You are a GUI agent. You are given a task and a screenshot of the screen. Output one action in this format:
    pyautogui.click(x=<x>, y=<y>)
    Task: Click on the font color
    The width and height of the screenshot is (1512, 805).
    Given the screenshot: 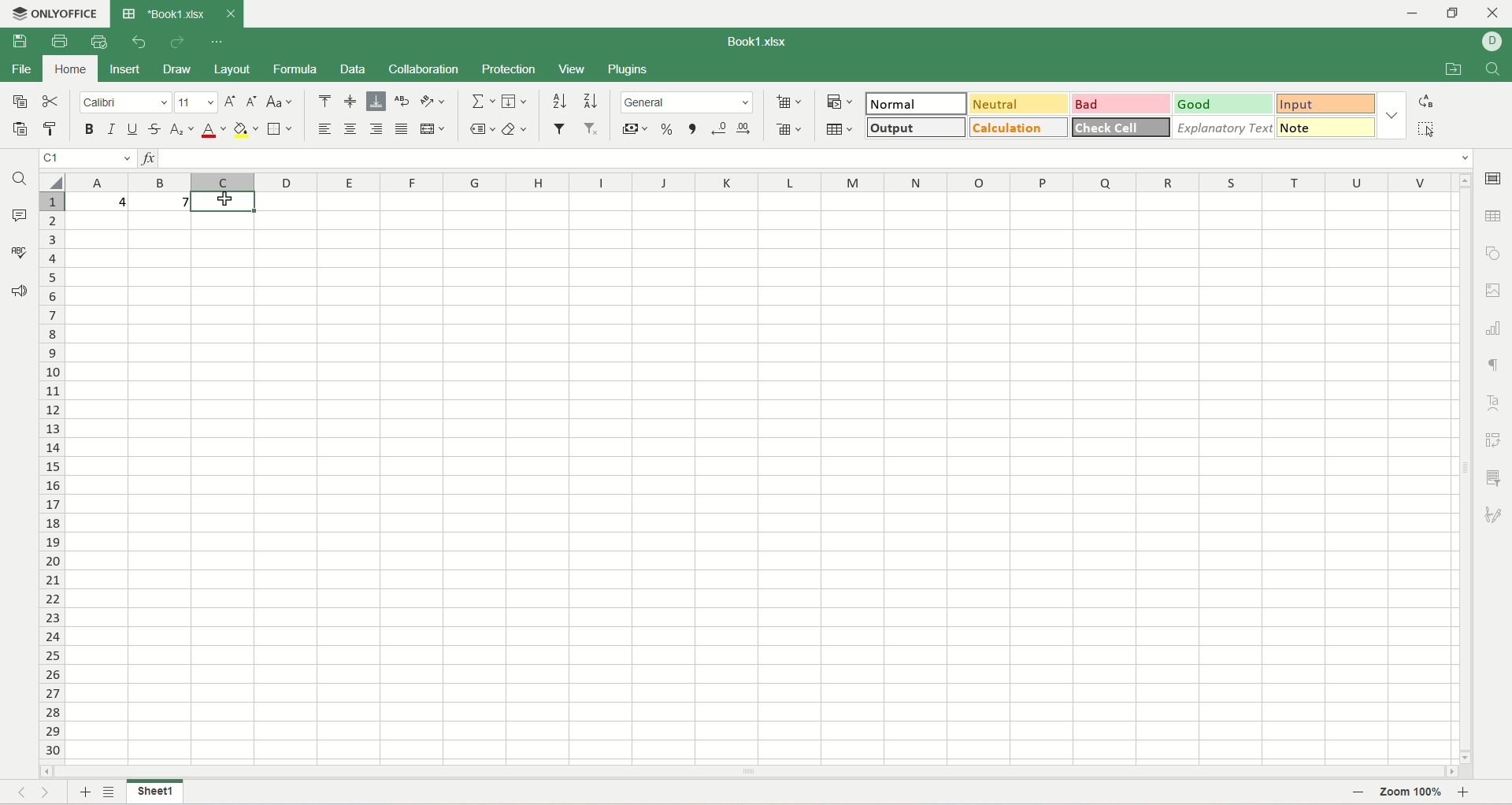 What is the action you would take?
    pyautogui.click(x=213, y=129)
    